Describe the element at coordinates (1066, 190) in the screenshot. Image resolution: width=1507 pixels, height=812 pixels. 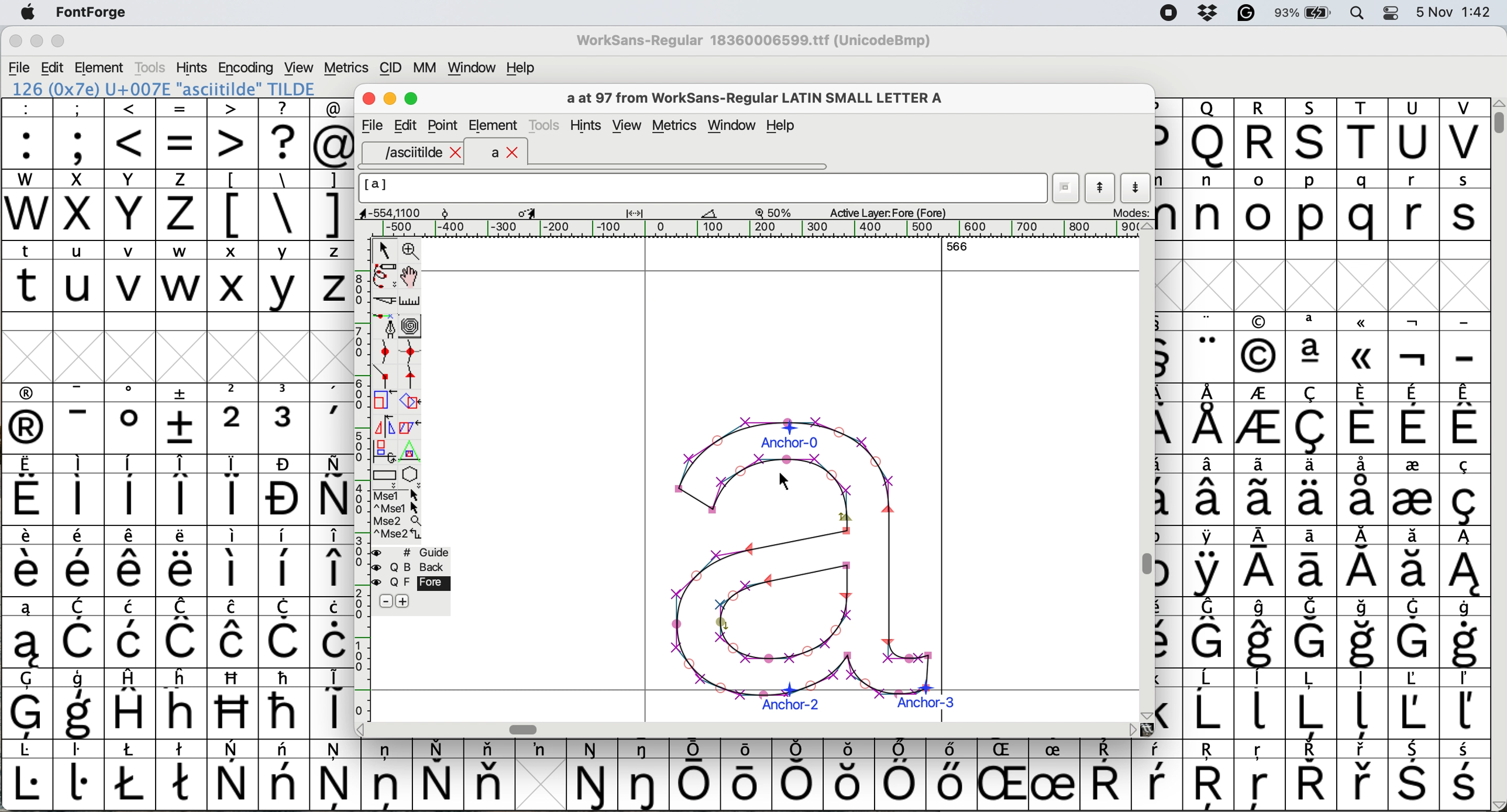
I see `current word list` at that location.